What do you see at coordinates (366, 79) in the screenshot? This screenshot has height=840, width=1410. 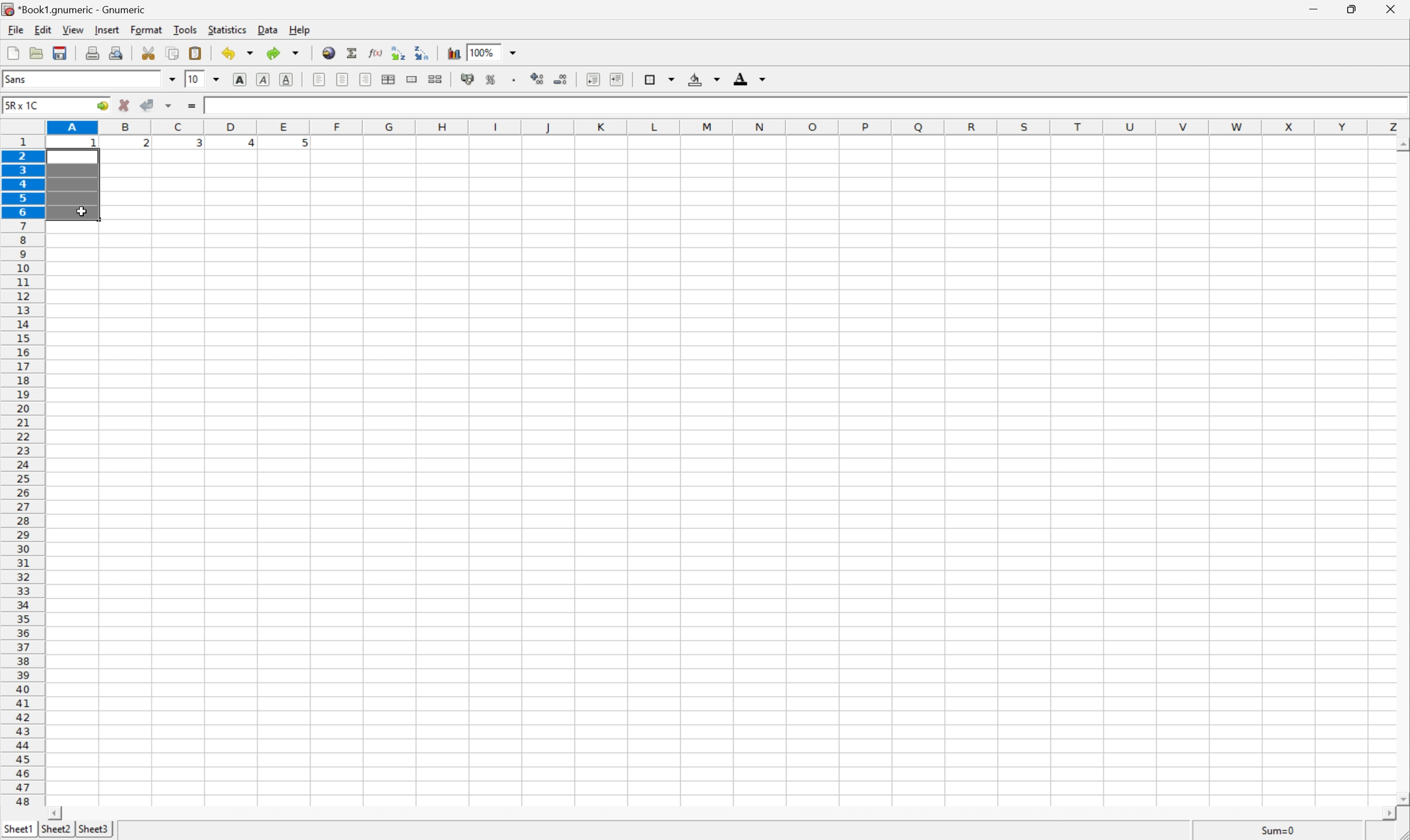 I see `align right` at bounding box center [366, 79].